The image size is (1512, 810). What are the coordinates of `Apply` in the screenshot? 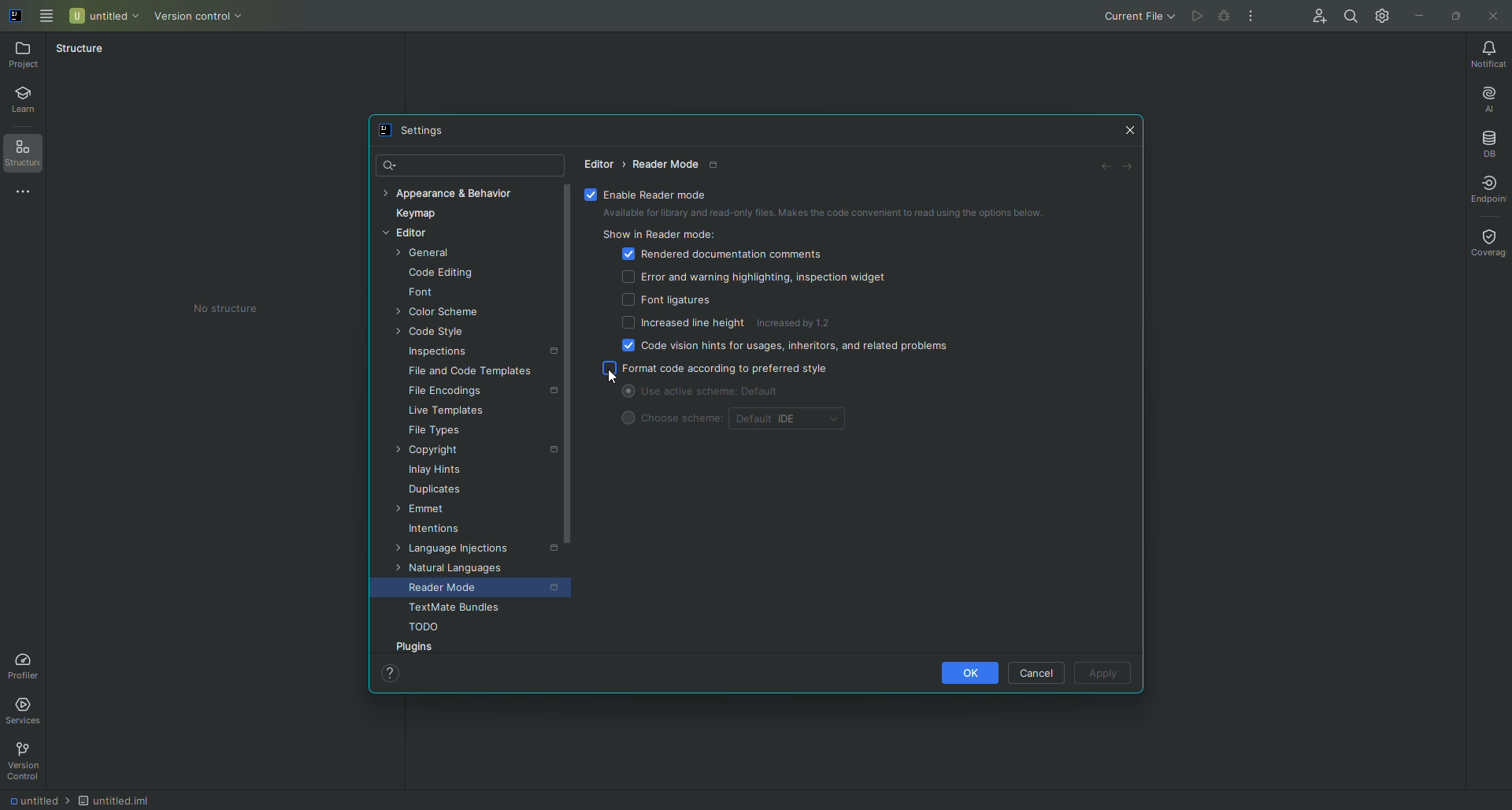 It's located at (1103, 674).